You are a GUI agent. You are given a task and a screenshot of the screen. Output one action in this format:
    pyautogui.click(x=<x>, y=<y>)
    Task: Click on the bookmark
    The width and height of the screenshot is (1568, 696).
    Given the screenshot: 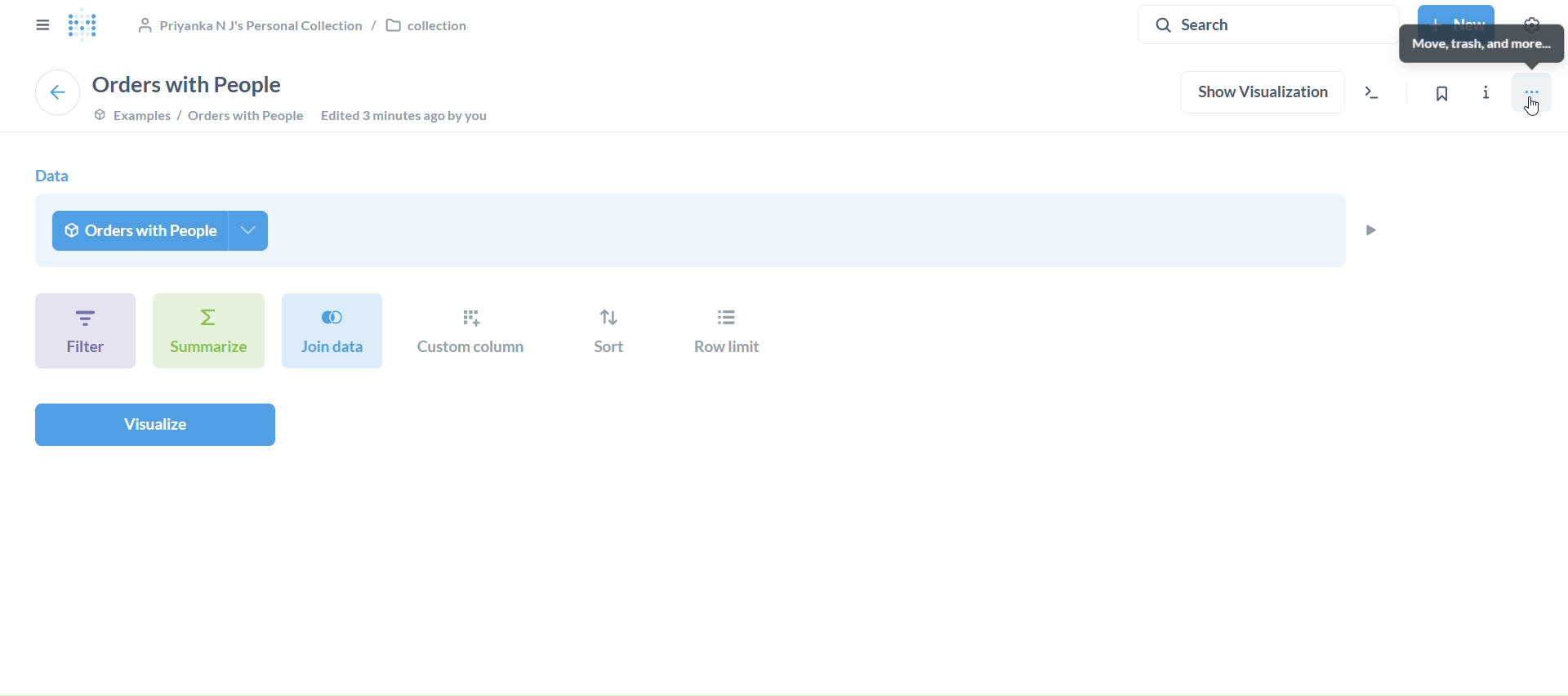 What is the action you would take?
    pyautogui.click(x=1439, y=91)
    